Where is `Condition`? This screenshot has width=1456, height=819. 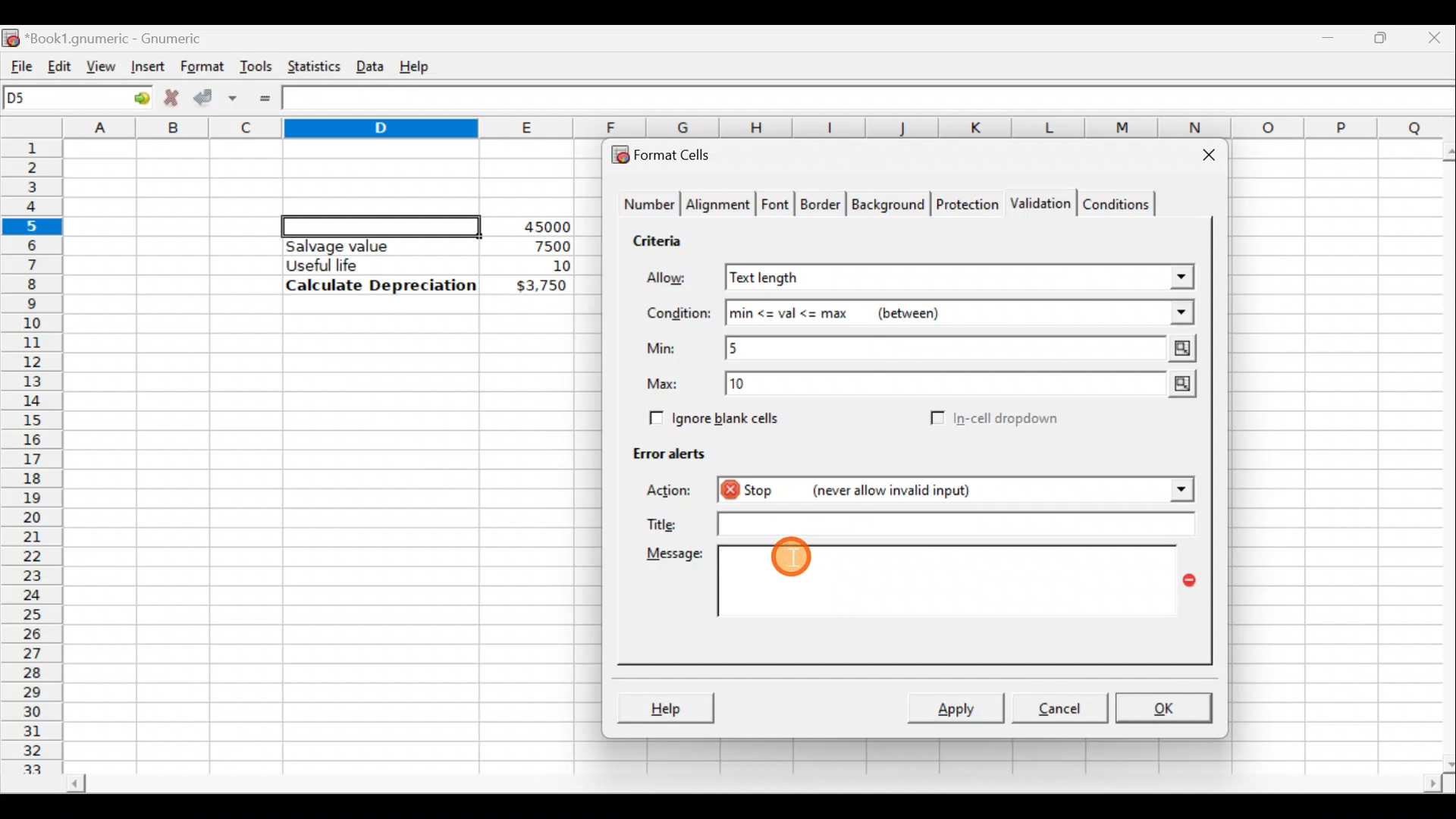
Condition is located at coordinates (678, 314).